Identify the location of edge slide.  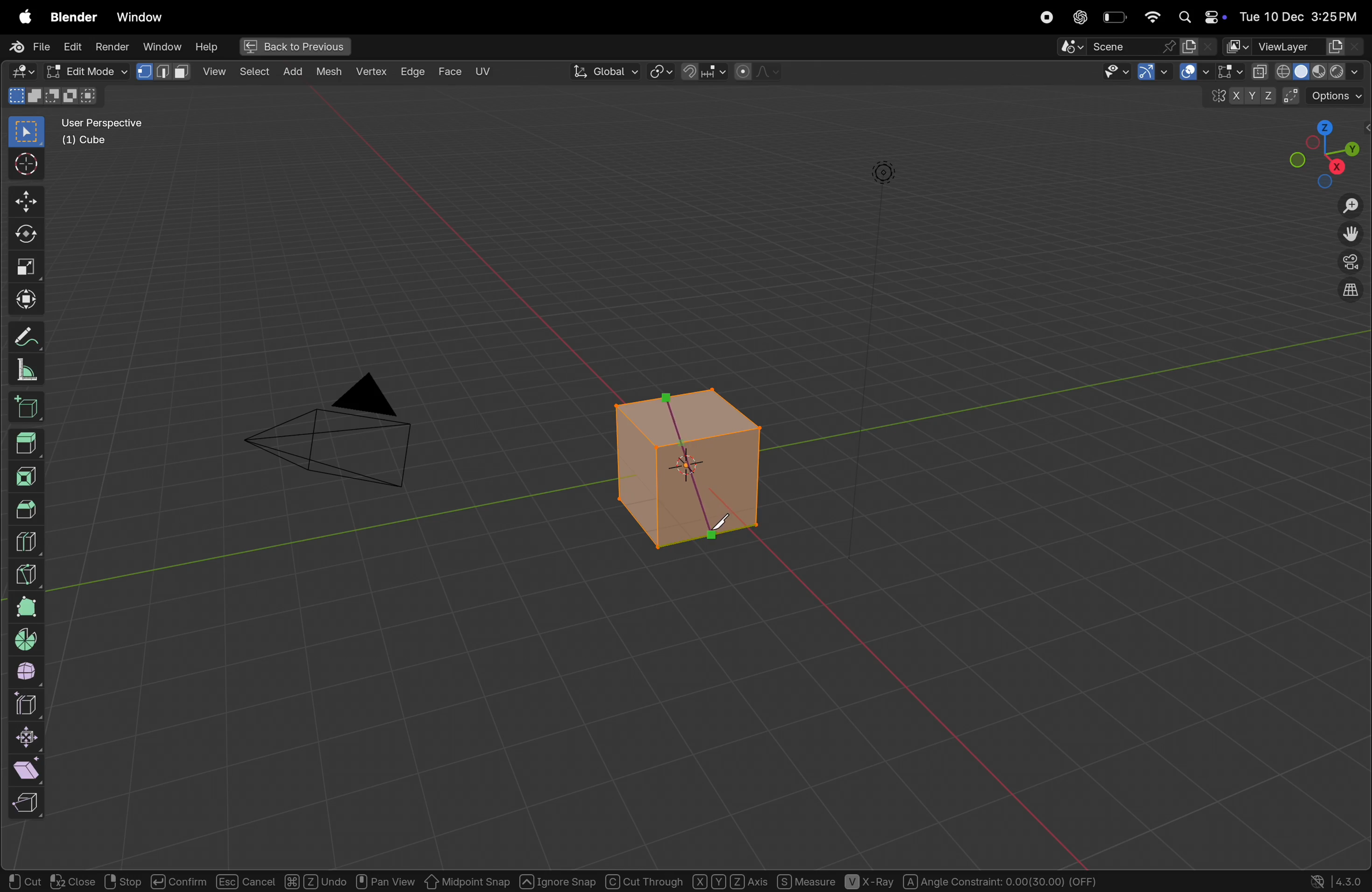
(29, 705).